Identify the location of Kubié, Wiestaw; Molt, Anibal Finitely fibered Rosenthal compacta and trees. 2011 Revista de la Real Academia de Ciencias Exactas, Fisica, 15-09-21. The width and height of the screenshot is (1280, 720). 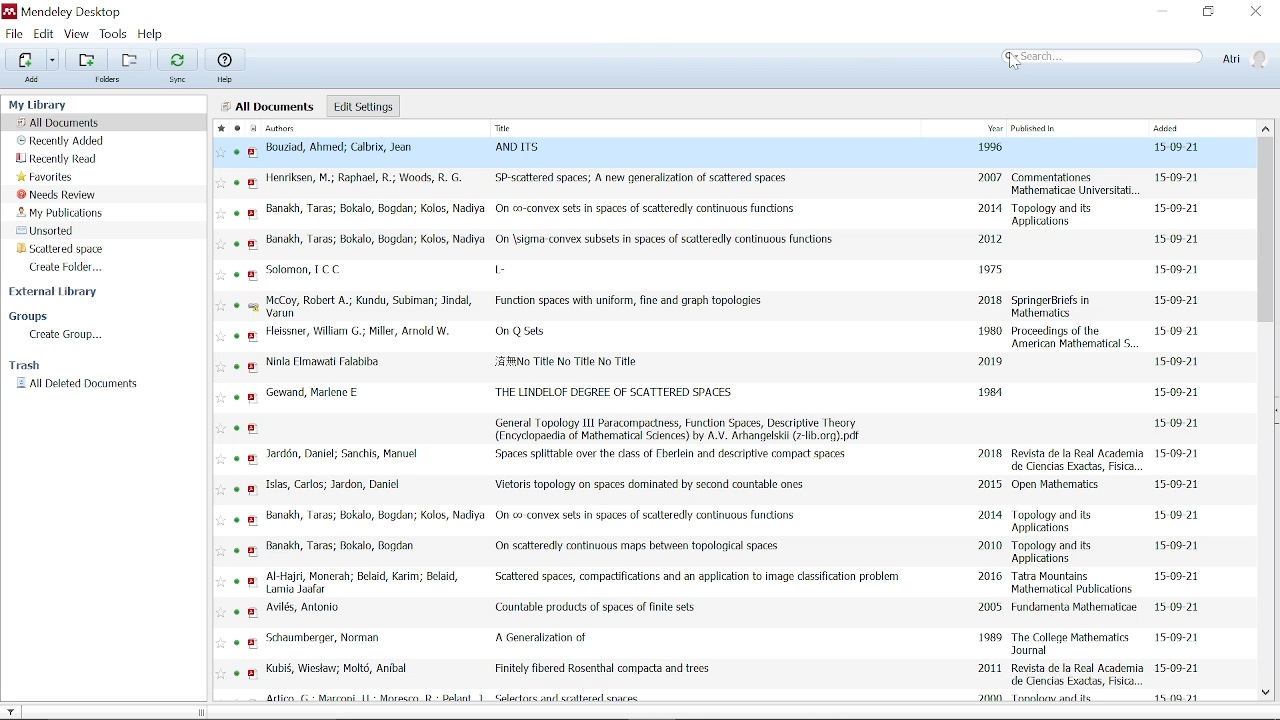
(728, 674).